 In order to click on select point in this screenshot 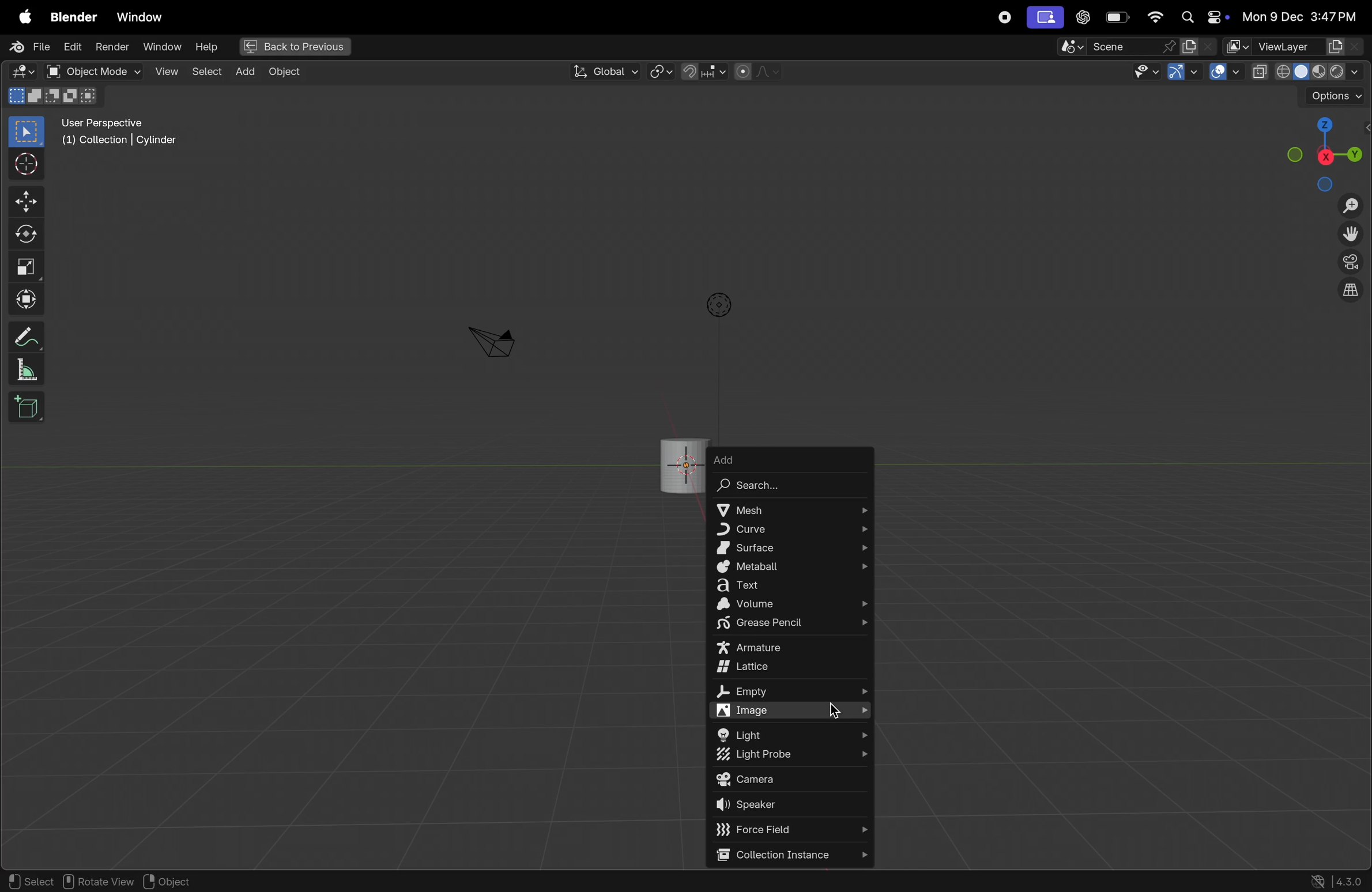, I will do `click(26, 131)`.